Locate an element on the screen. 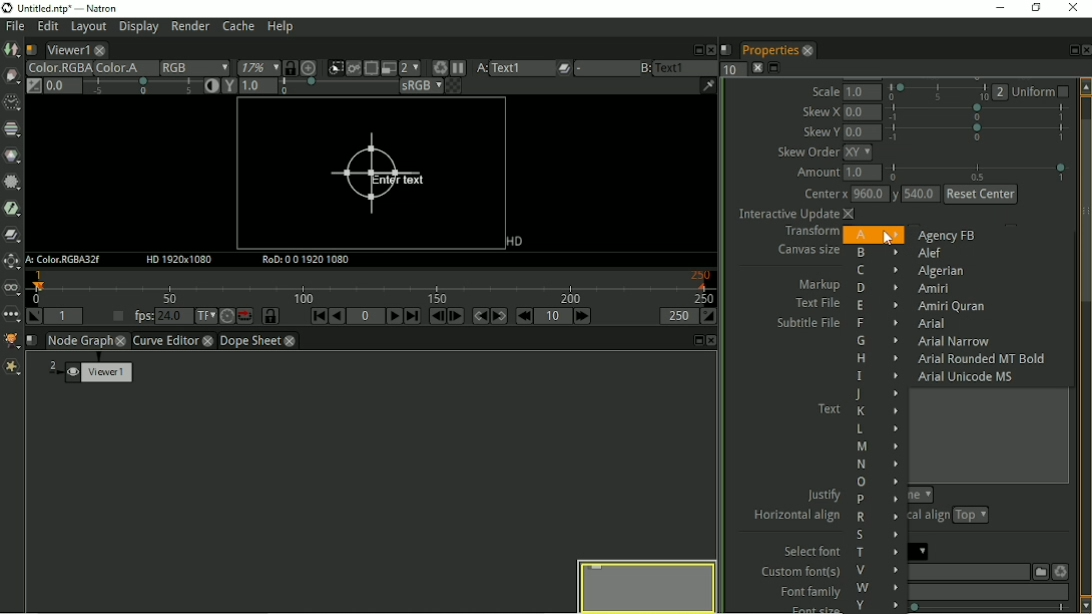 The width and height of the screenshot is (1092, 614). I is located at coordinates (876, 376).